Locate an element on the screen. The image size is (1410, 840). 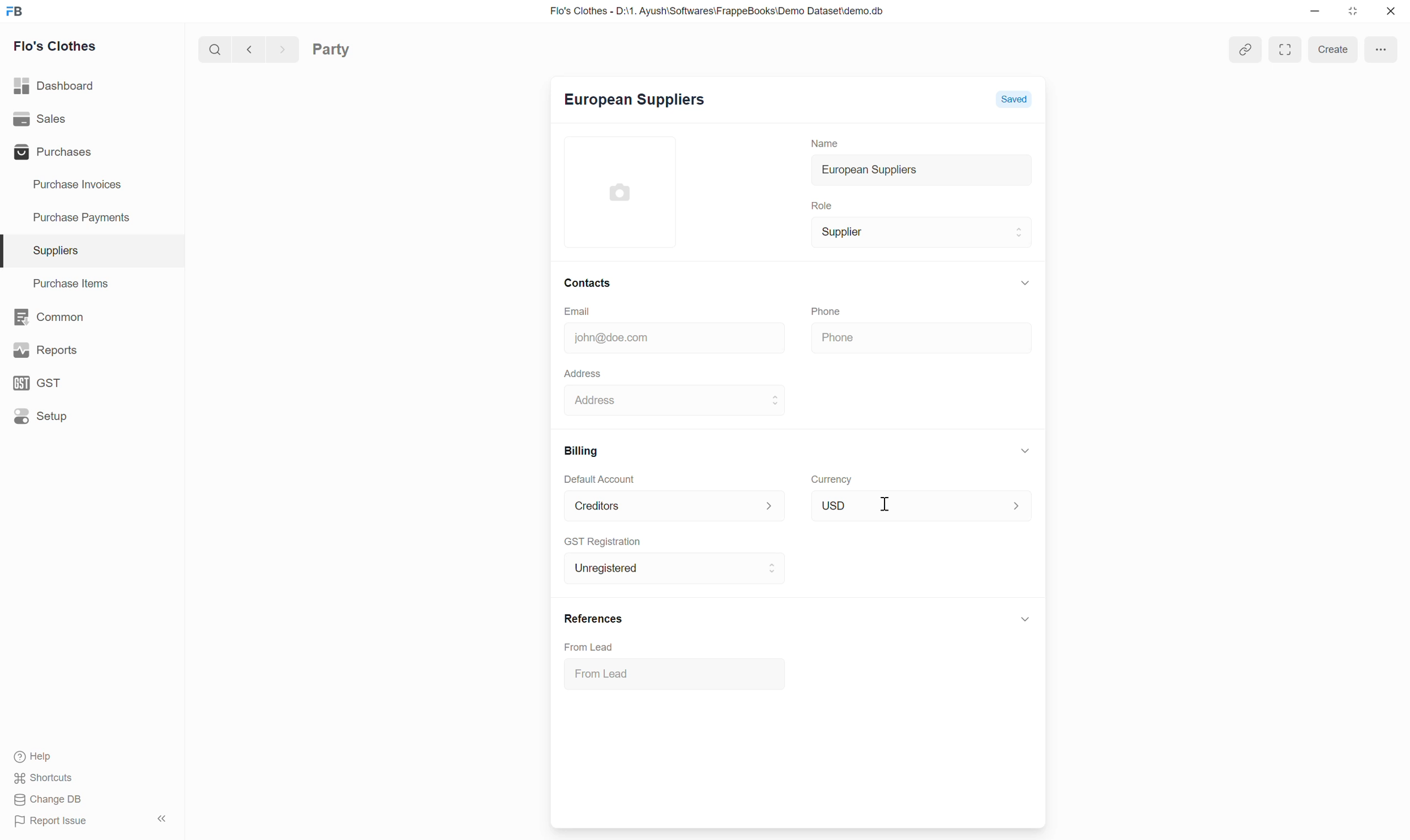
GST is located at coordinates (37, 377).